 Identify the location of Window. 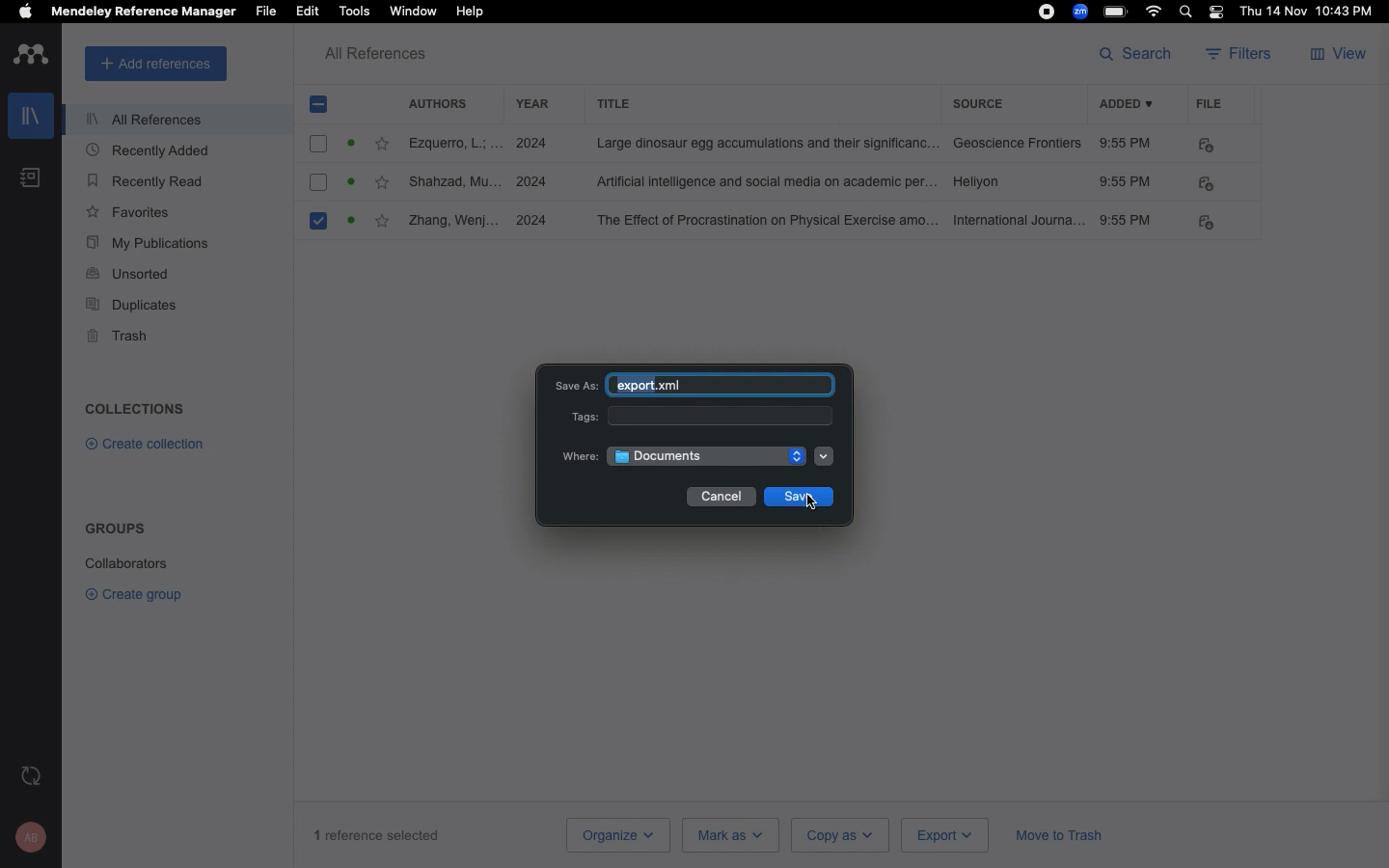
(413, 12).